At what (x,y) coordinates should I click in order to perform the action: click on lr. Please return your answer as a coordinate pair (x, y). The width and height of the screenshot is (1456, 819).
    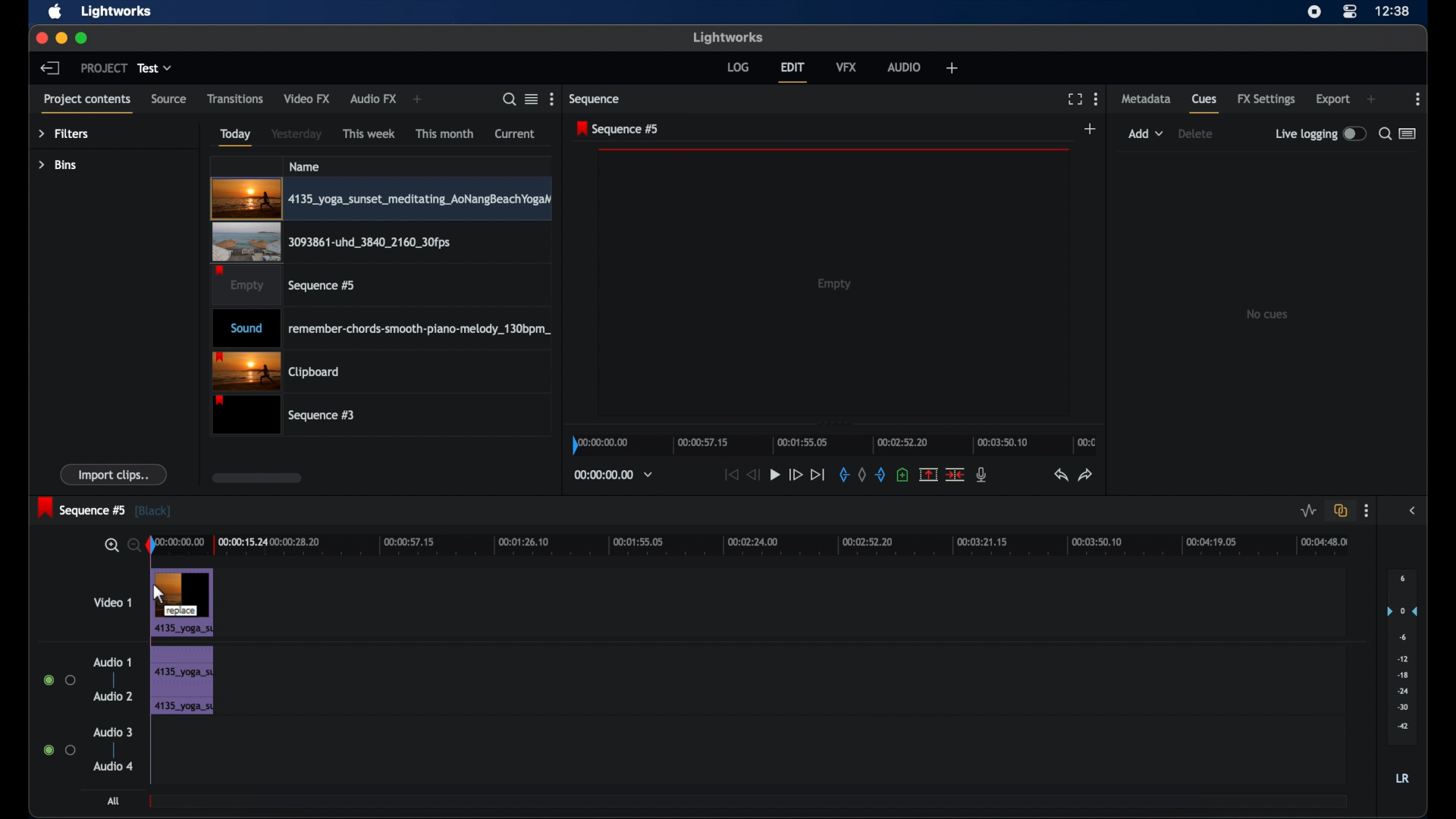
    Looking at the image, I should click on (1403, 778).